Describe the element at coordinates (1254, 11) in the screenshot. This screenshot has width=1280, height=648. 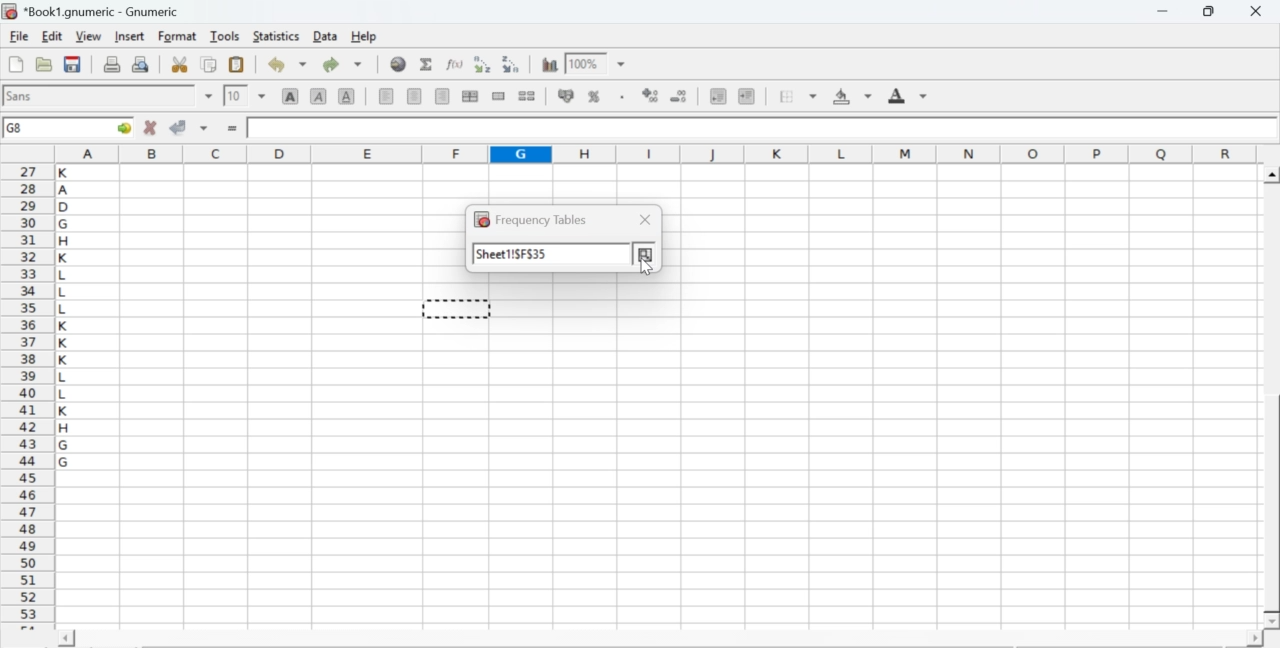
I see `close` at that location.